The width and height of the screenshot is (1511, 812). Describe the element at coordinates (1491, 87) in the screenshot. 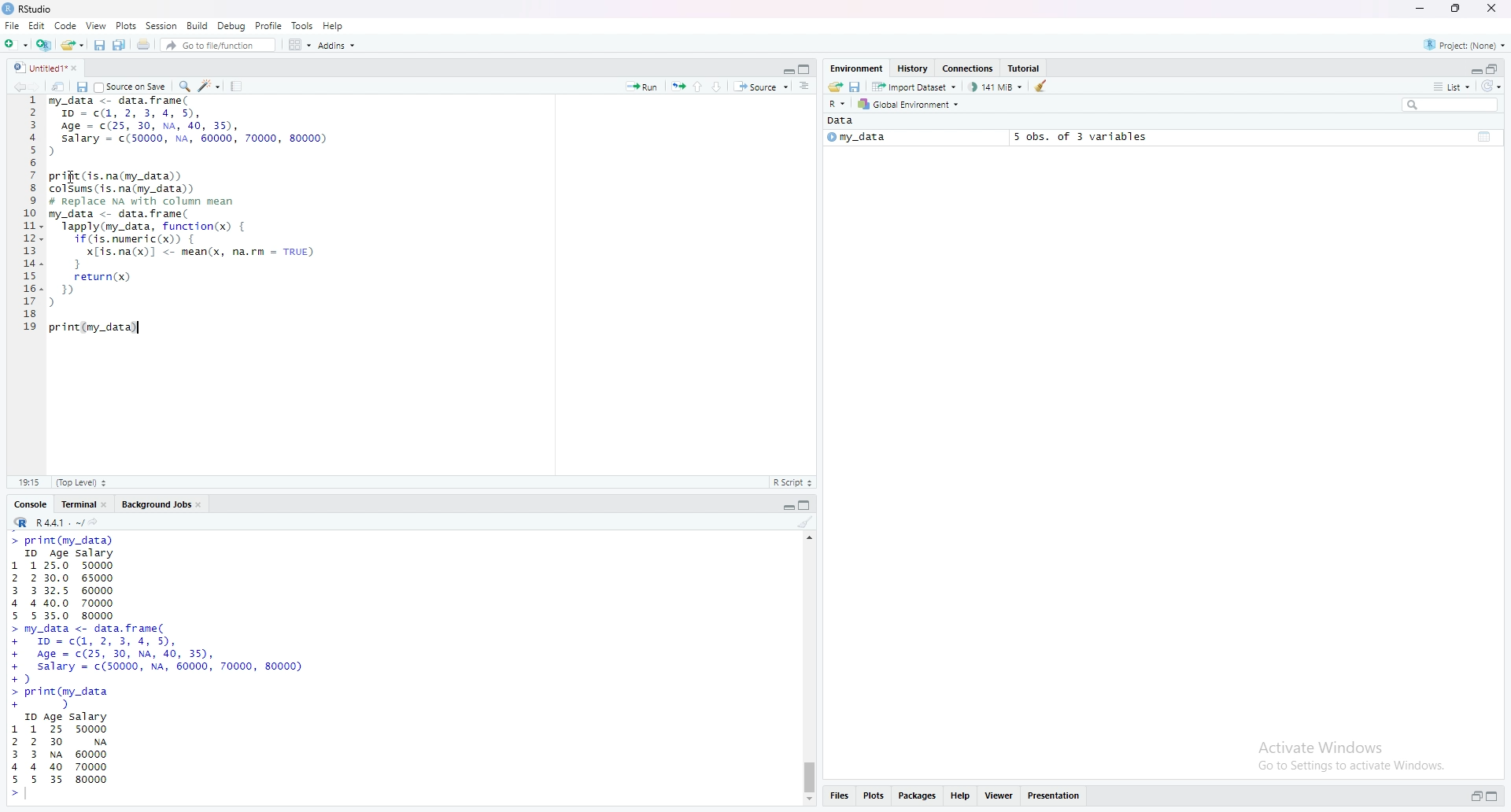

I see `refresh` at that location.